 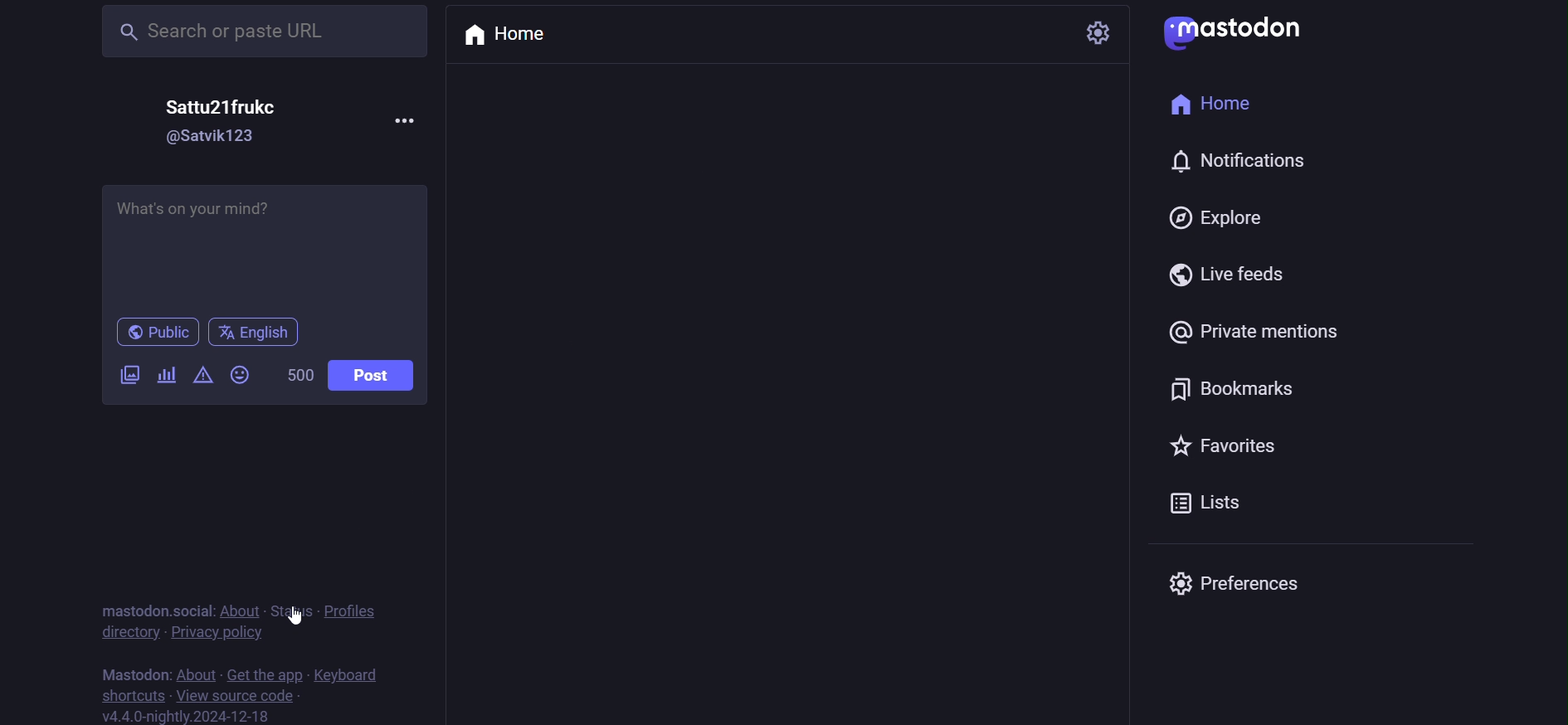 What do you see at coordinates (512, 35) in the screenshot?
I see `home` at bounding box center [512, 35].